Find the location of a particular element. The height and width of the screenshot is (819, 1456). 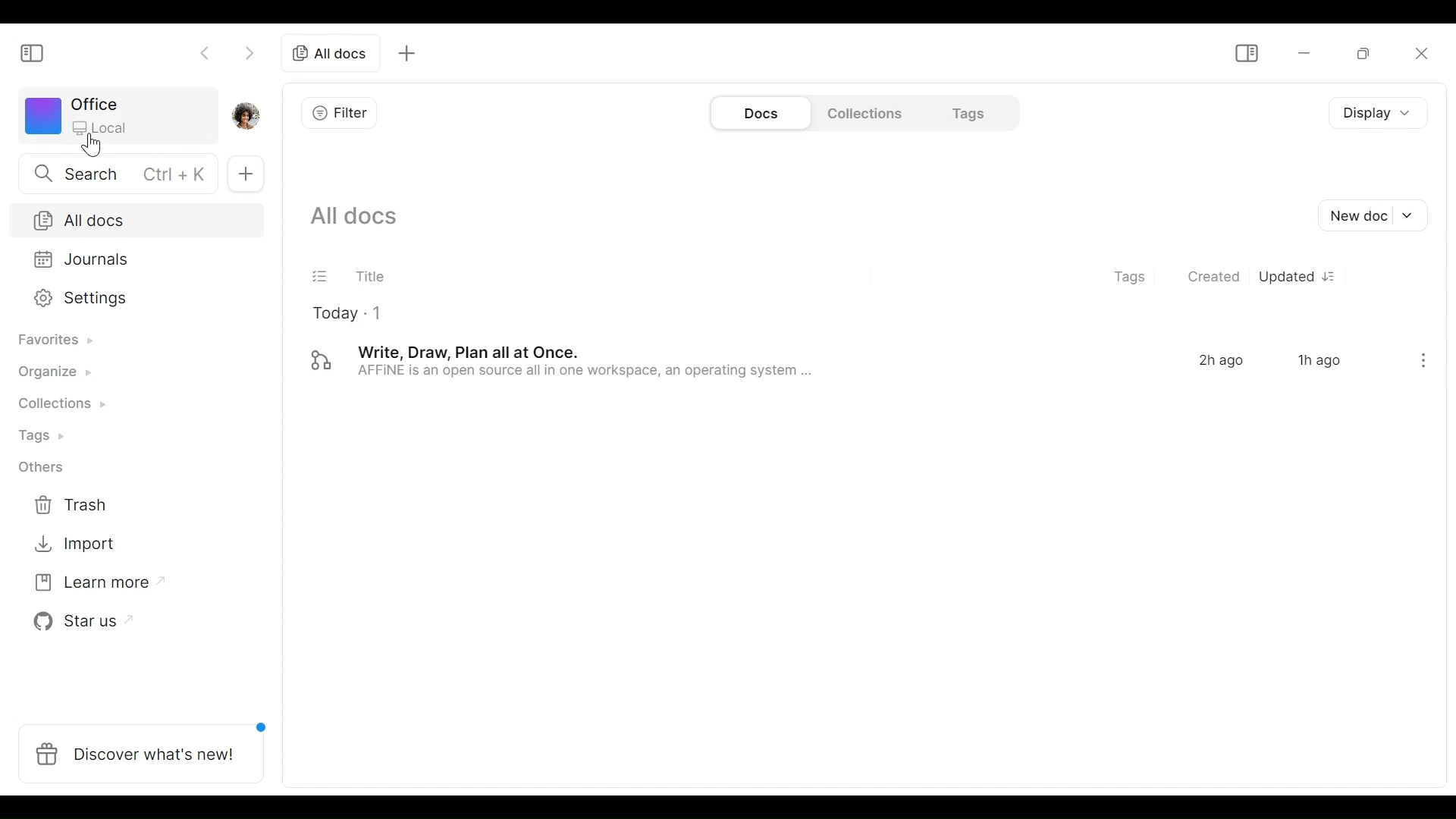

Title is located at coordinates (369, 276).